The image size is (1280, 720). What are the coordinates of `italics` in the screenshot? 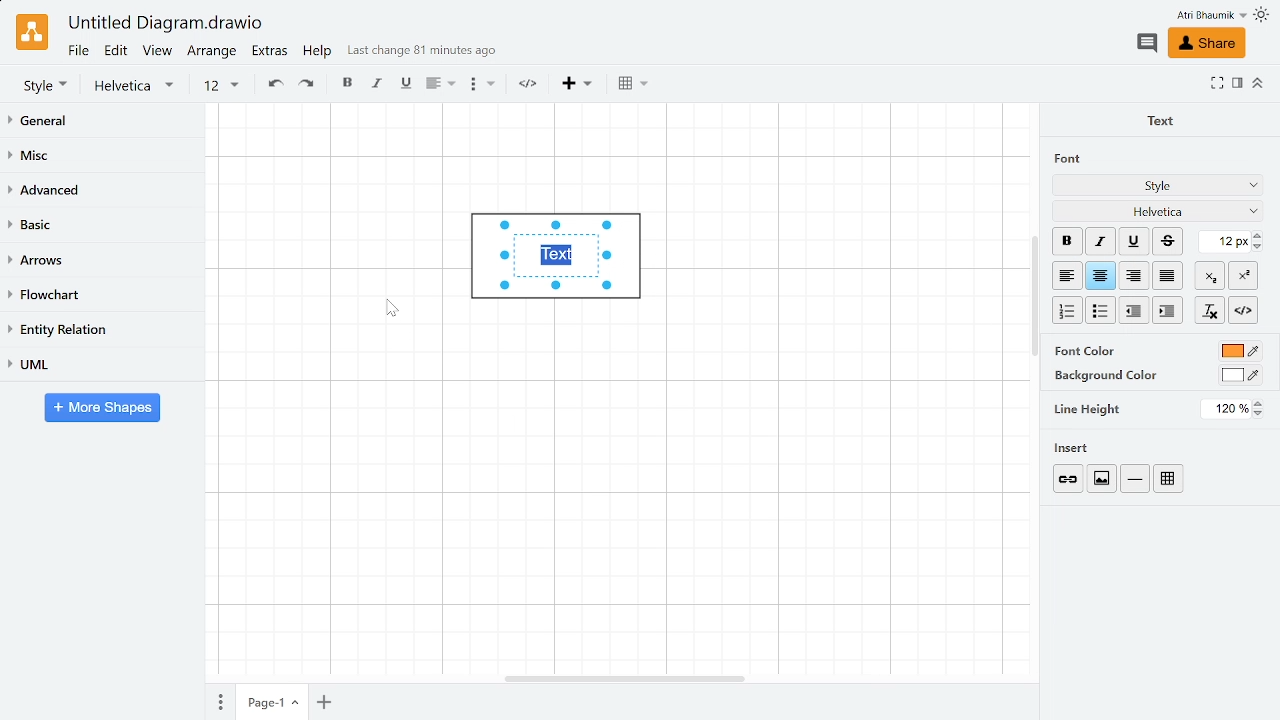 It's located at (378, 85).